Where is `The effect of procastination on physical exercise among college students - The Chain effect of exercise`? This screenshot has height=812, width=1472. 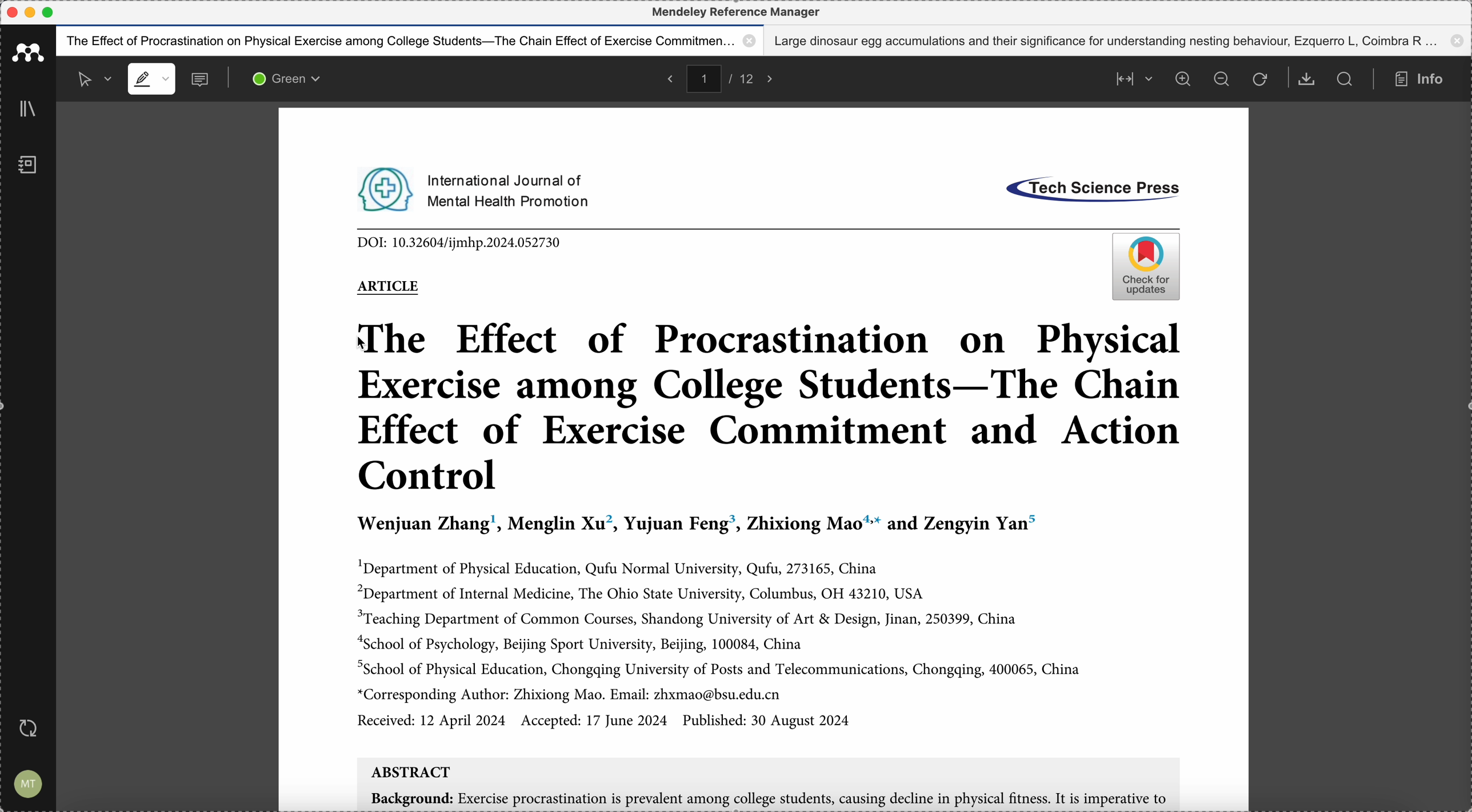 The effect of procastination on physical exercise among college students - The Chain effect of exercise is located at coordinates (410, 41).